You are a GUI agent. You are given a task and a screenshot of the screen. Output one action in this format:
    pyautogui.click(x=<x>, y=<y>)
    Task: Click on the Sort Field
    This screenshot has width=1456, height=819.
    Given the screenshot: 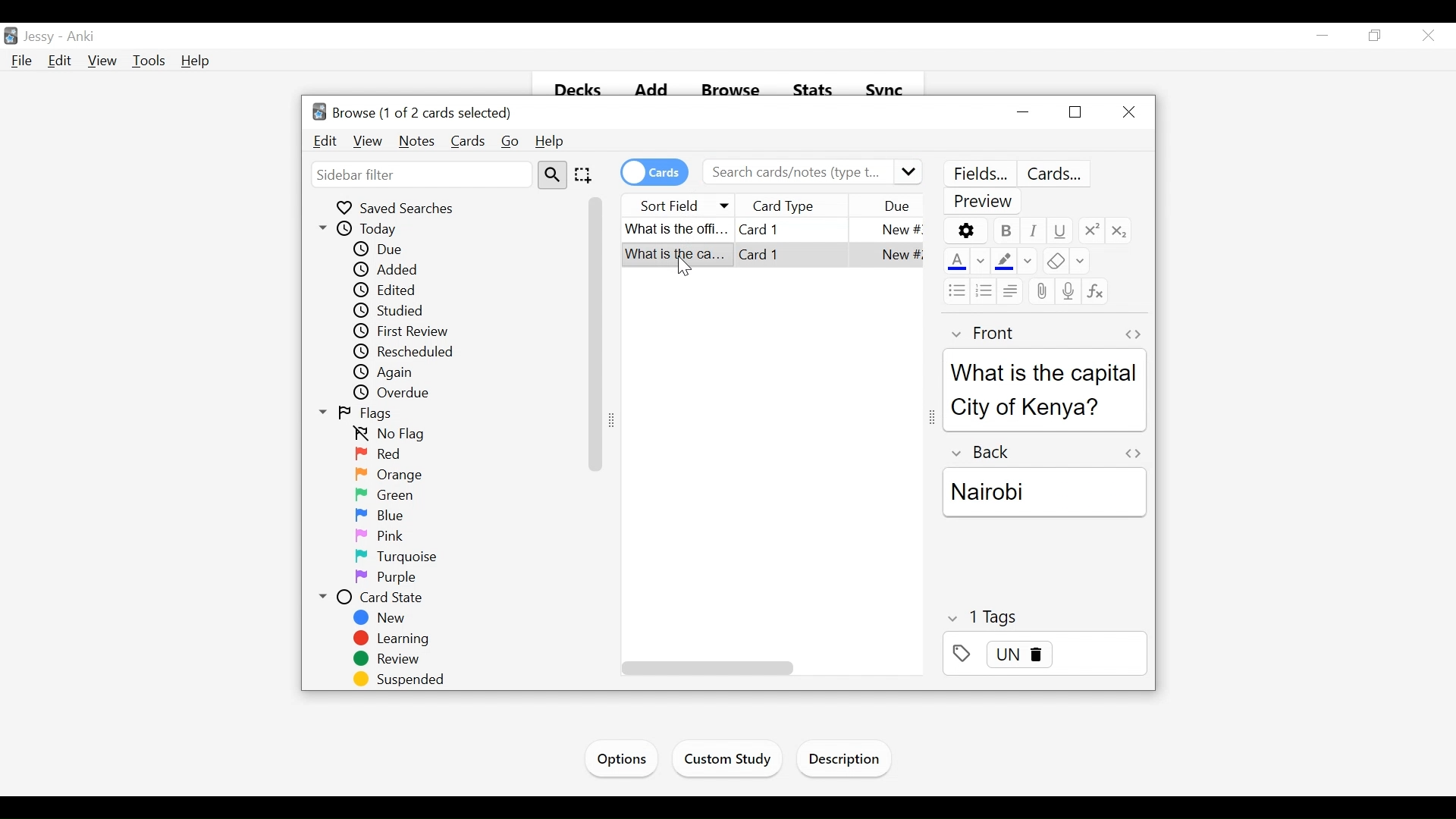 What is the action you would take?
    pyautogui.click(x=679, y=204)
    